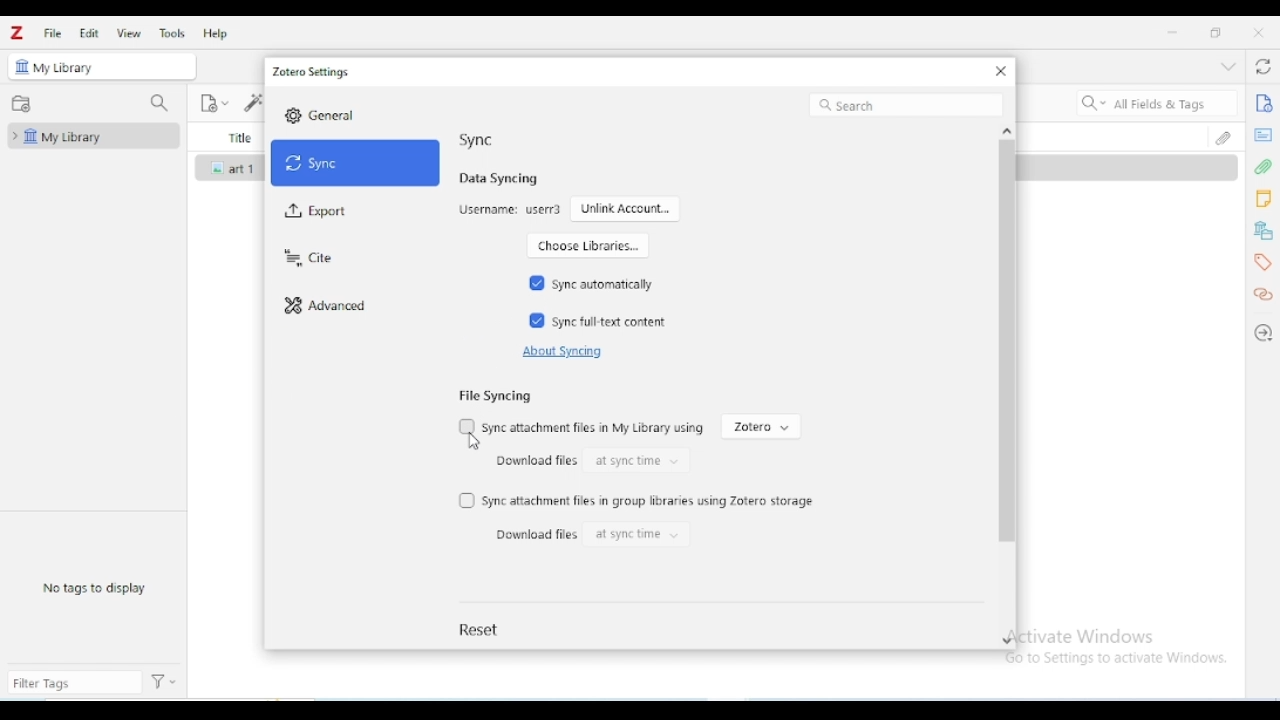  What do you see at coordinates (307, 259) in the screenshot?
I see `cite` at bounding box center [307, 259].